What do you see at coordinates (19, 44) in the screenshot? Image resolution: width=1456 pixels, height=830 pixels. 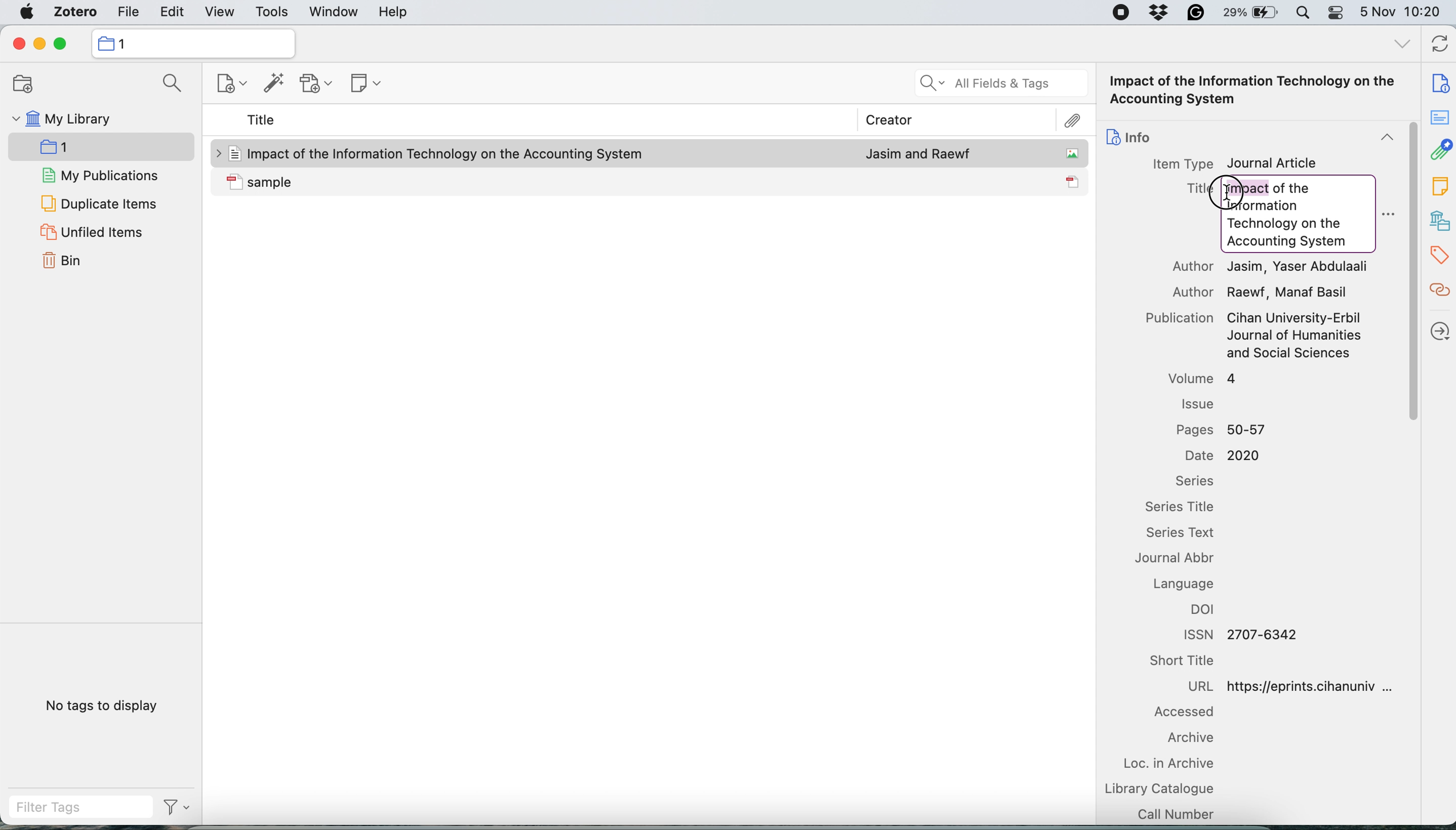 I see `close` at bounding box center [19, 44].